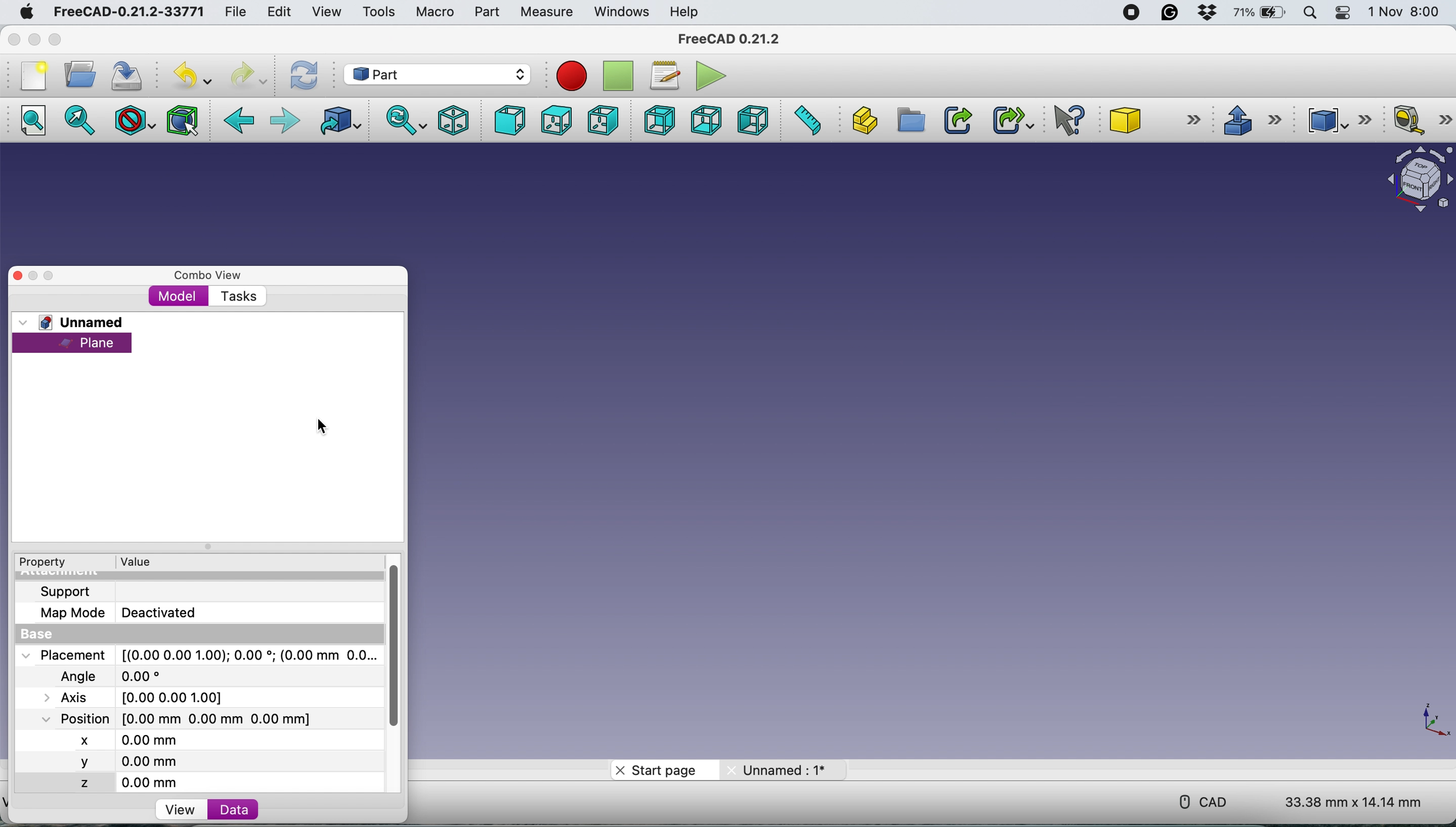 The width and height of the screenshot is (1456, 827). What do you see at coordinates (959, 122) in the screenshot?
I see `make link` at bounding box center [959, 122].